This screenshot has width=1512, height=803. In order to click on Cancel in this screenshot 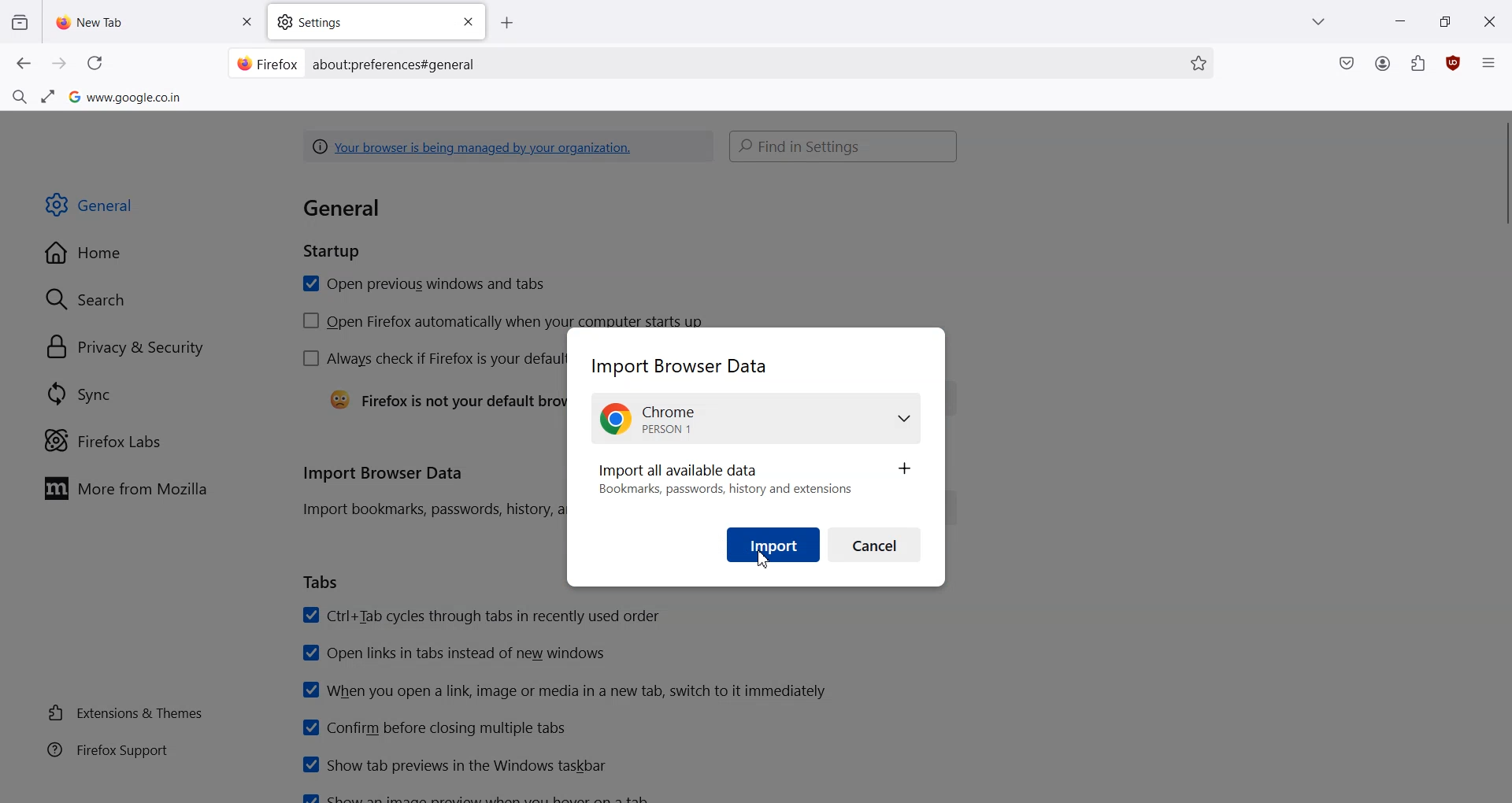, I will do `click(875, 544)`.